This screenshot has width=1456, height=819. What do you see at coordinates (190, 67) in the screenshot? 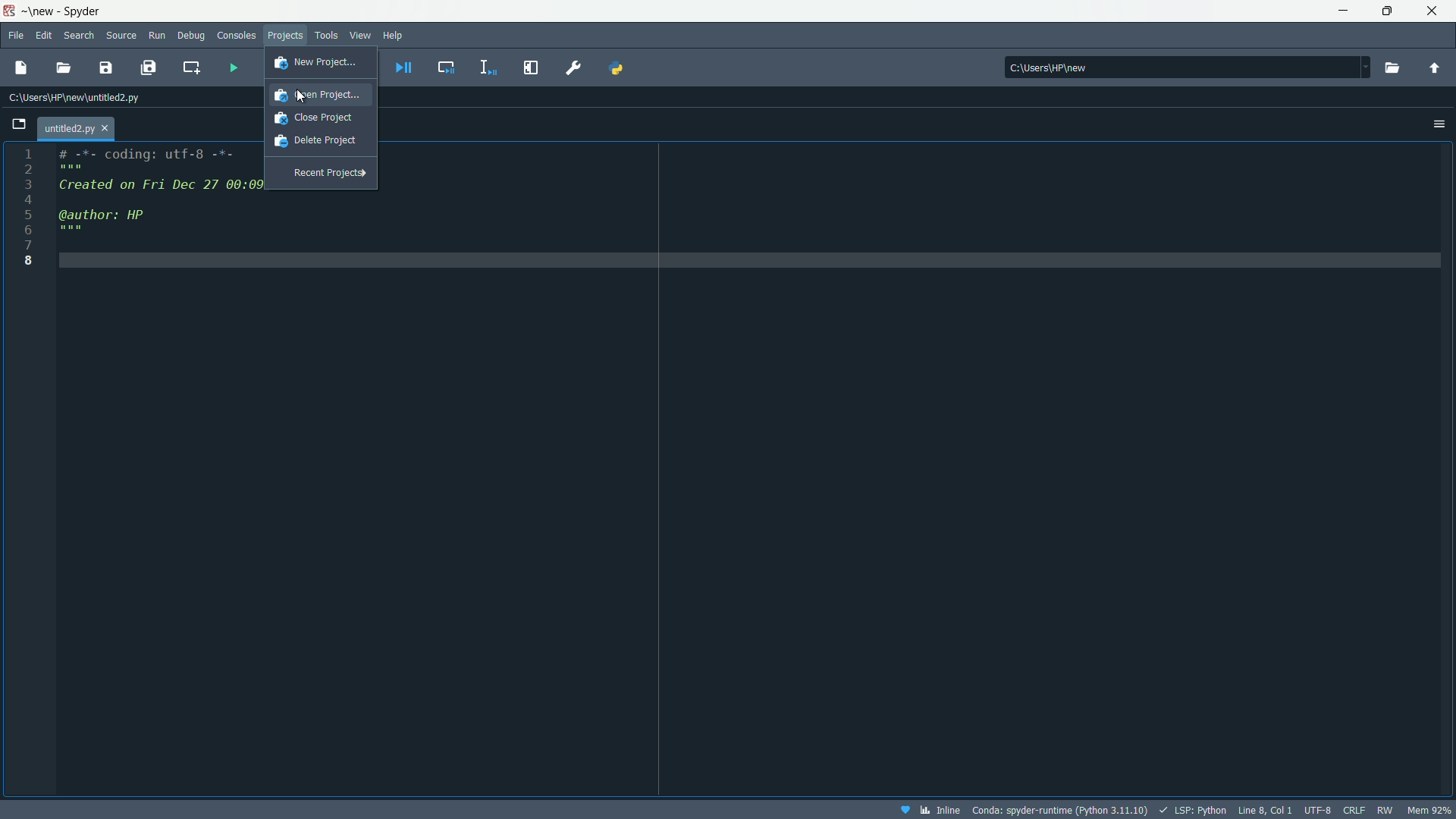
I see `Create new cell at the current line (Ctrl + 2)` at bounding box center [190, 67].